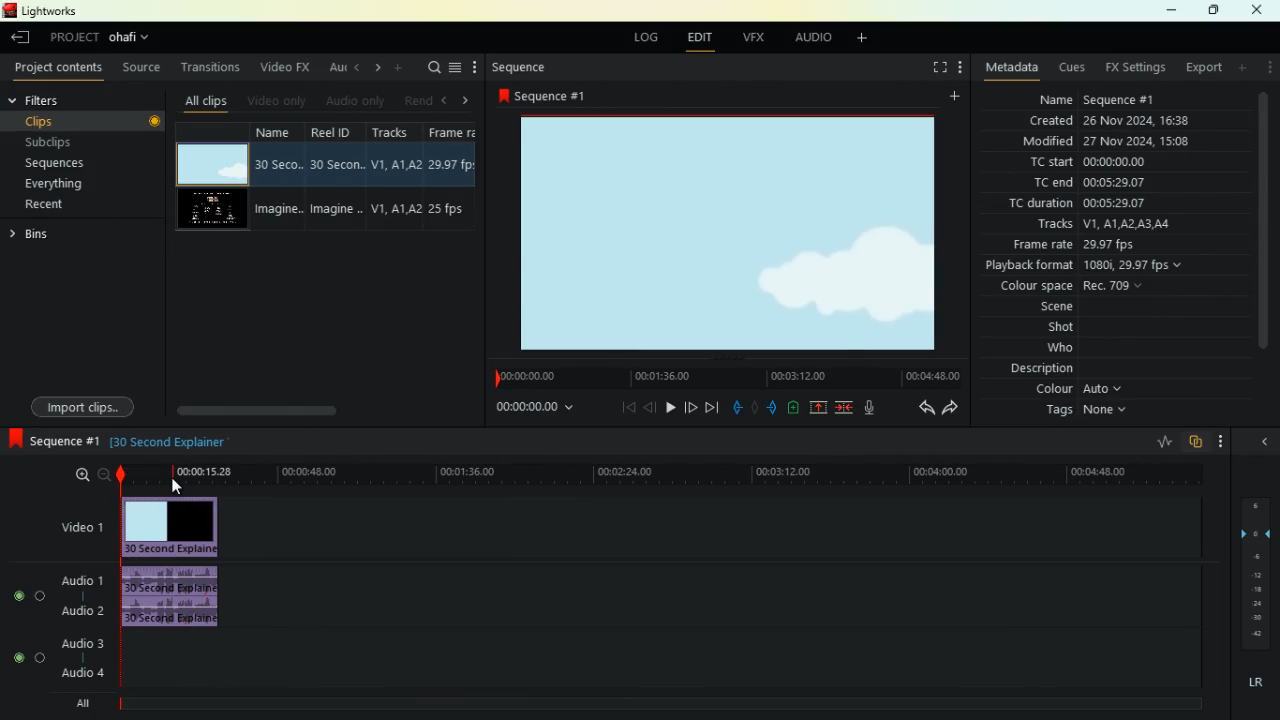 The width and height of the screenshot is (1280, 720). I want to click on 29.97 fps, so click(1118, 245).